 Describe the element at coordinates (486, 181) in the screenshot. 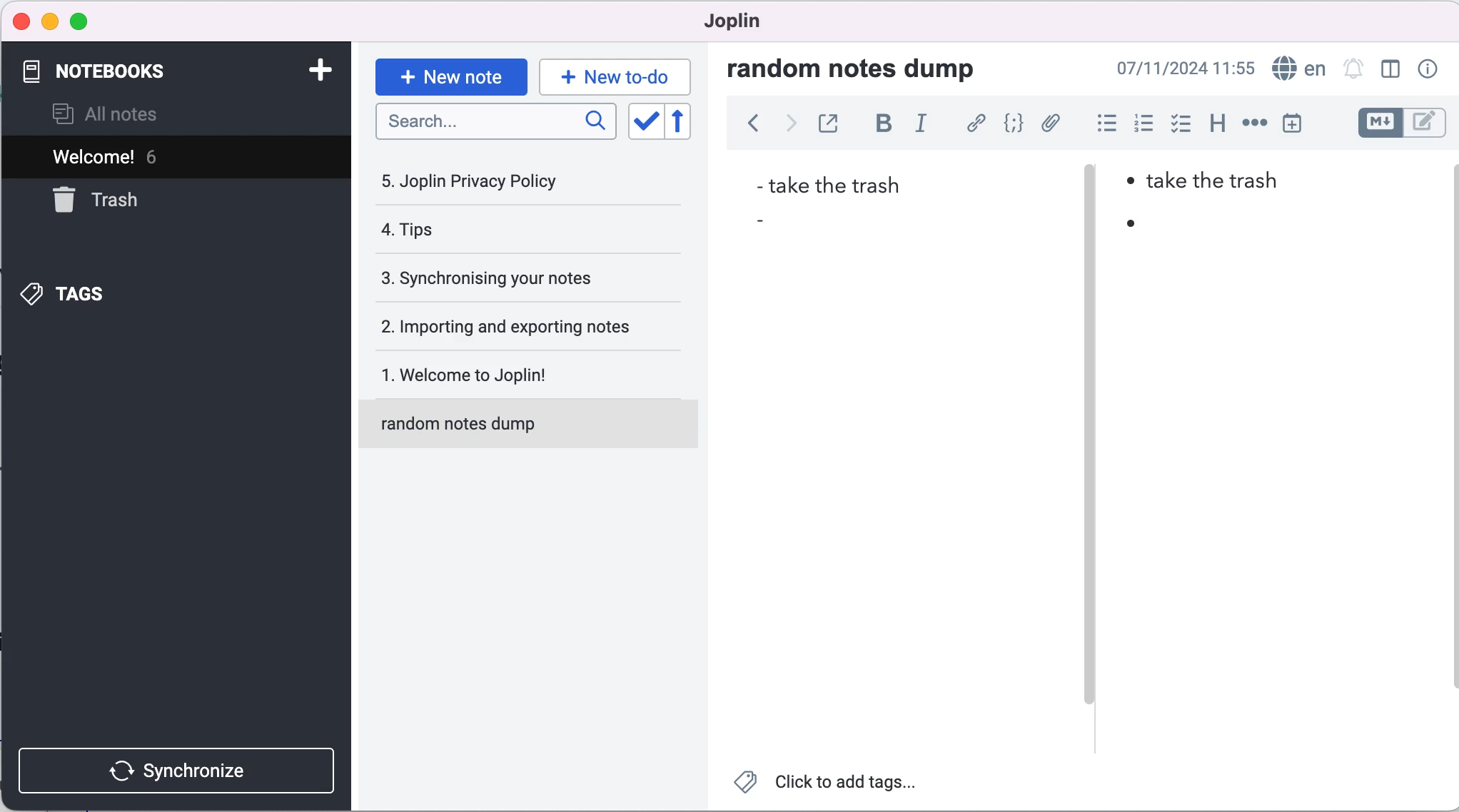

I see `joplin privacy policy` at that location.